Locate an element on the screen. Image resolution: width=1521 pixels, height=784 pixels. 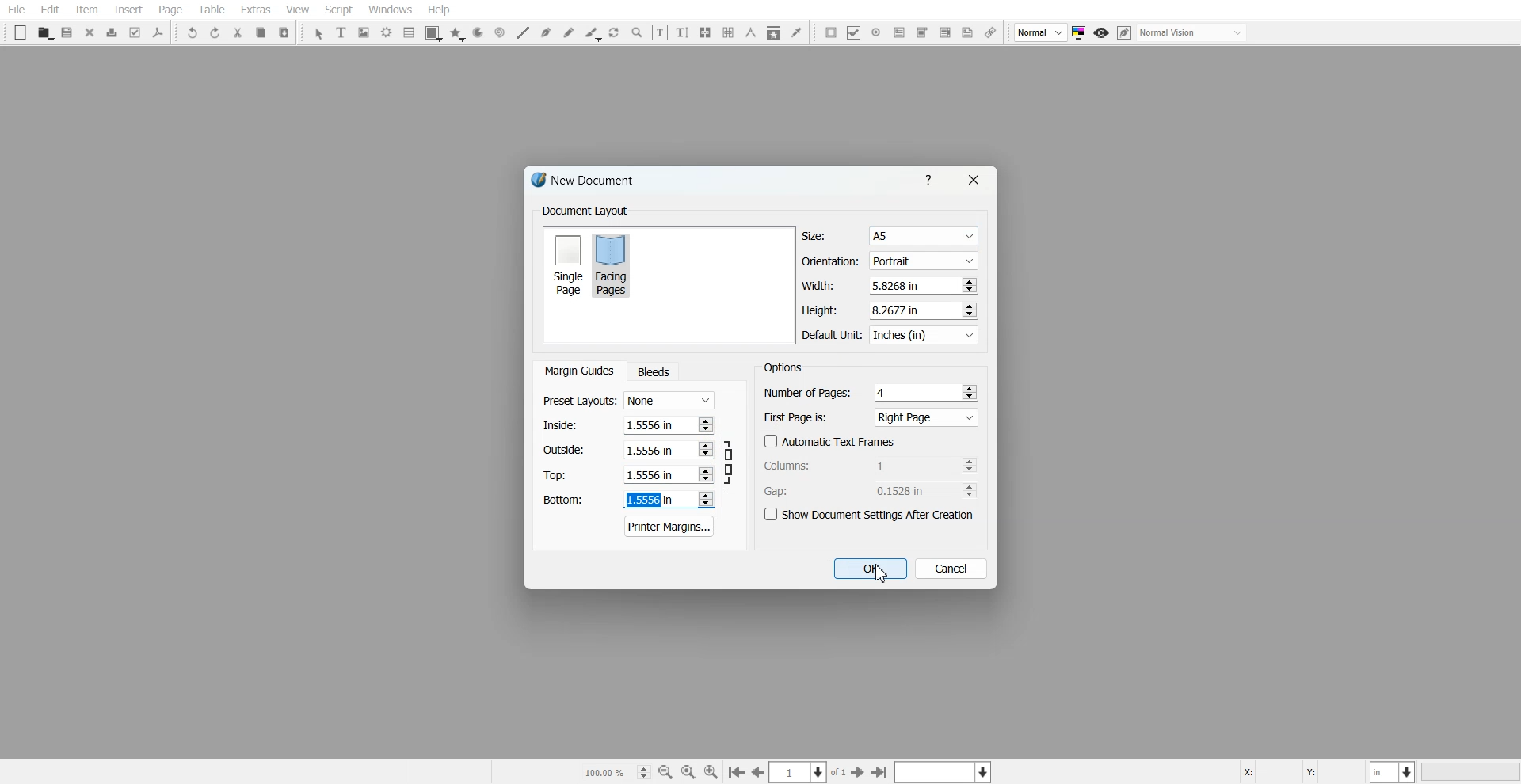
Line is located at coordinates (522, 32).